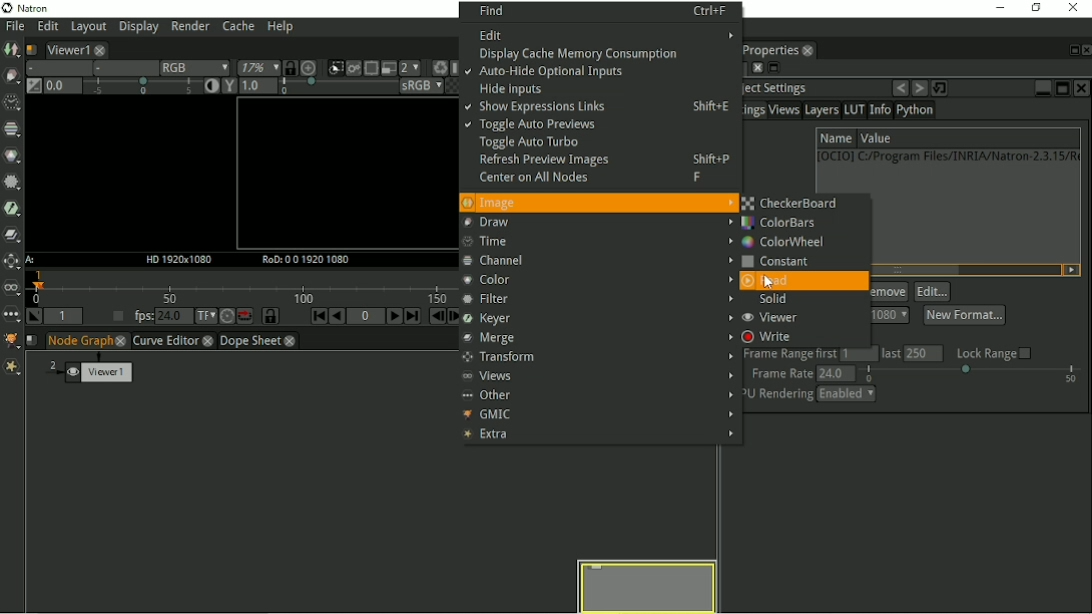 This screenshot has width=1092, height=614. What do you see at coordinates (11, 341) in the screenshot?
I see `GMIC` at bounding box center [11, 341].